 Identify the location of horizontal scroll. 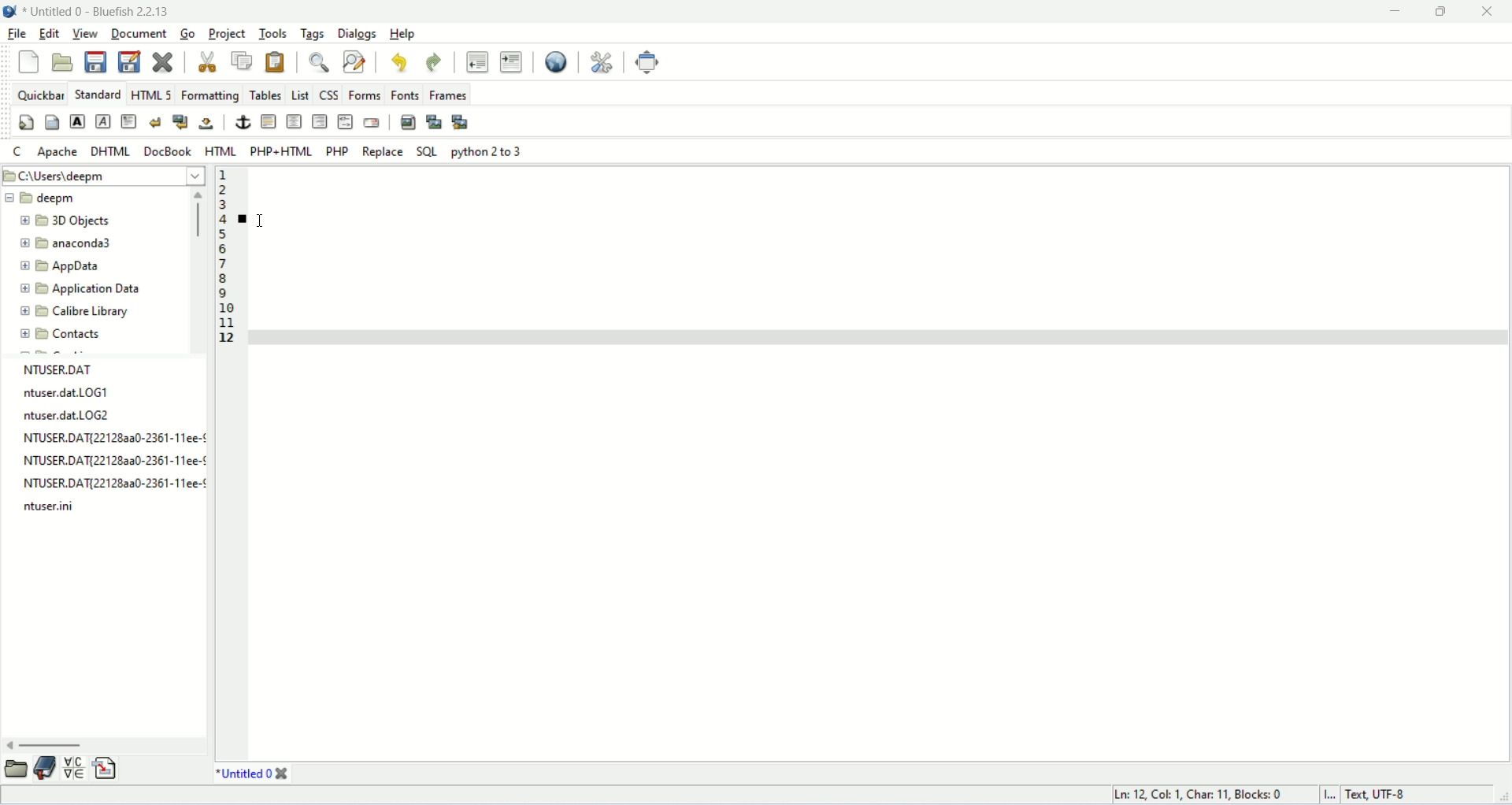
(199, 269).